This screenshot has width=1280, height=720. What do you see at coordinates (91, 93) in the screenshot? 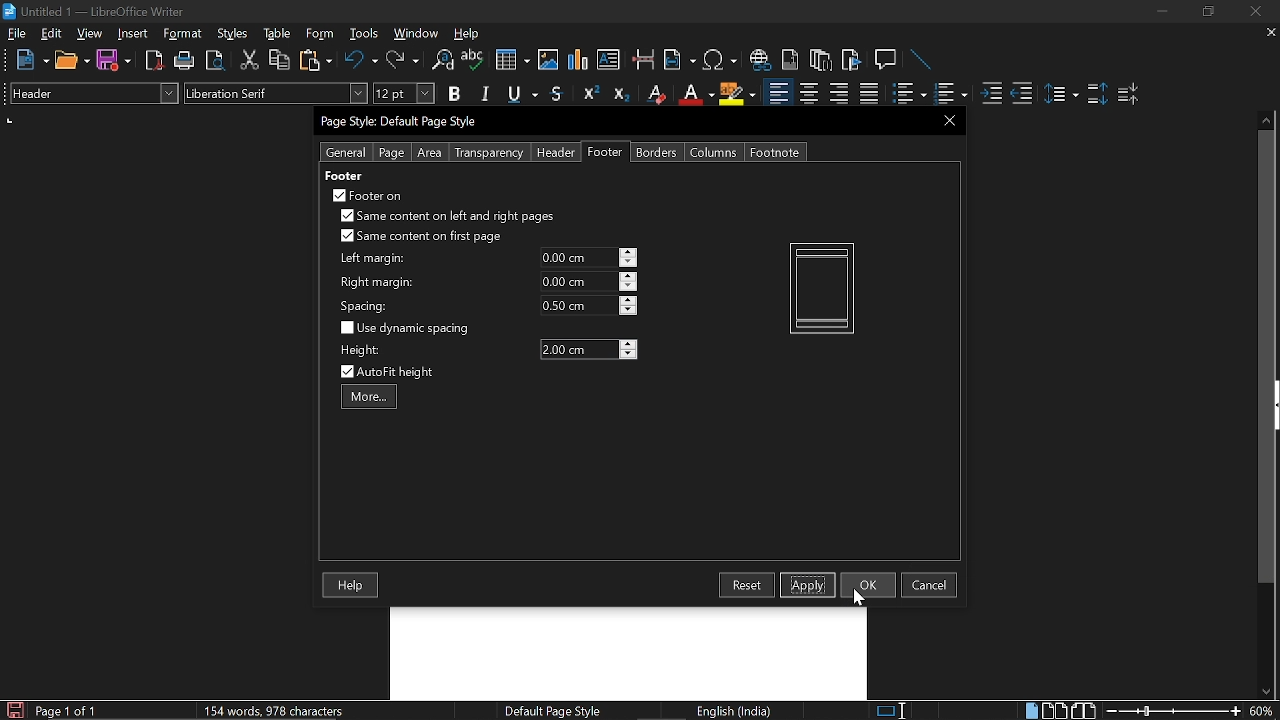
I see `Paragraph style` at bounding box center [91, 93].